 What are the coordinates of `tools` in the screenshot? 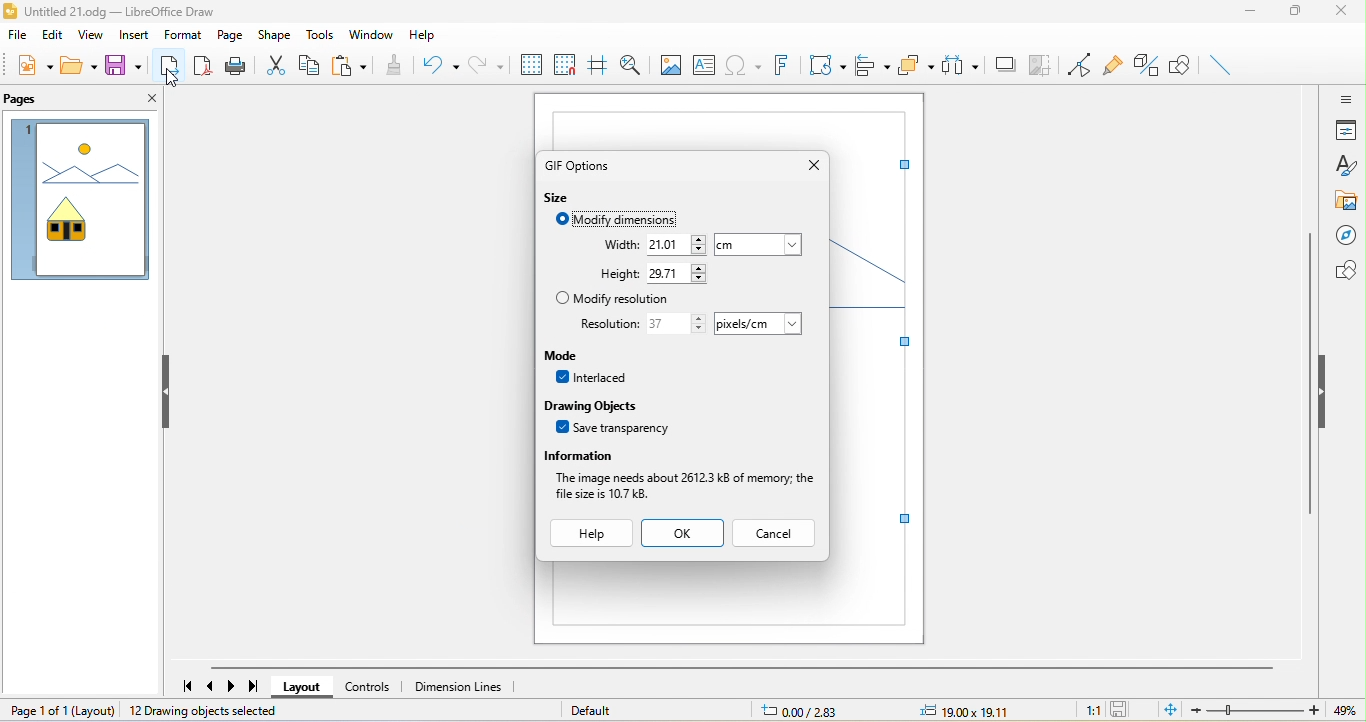 It's located at (319, 33).